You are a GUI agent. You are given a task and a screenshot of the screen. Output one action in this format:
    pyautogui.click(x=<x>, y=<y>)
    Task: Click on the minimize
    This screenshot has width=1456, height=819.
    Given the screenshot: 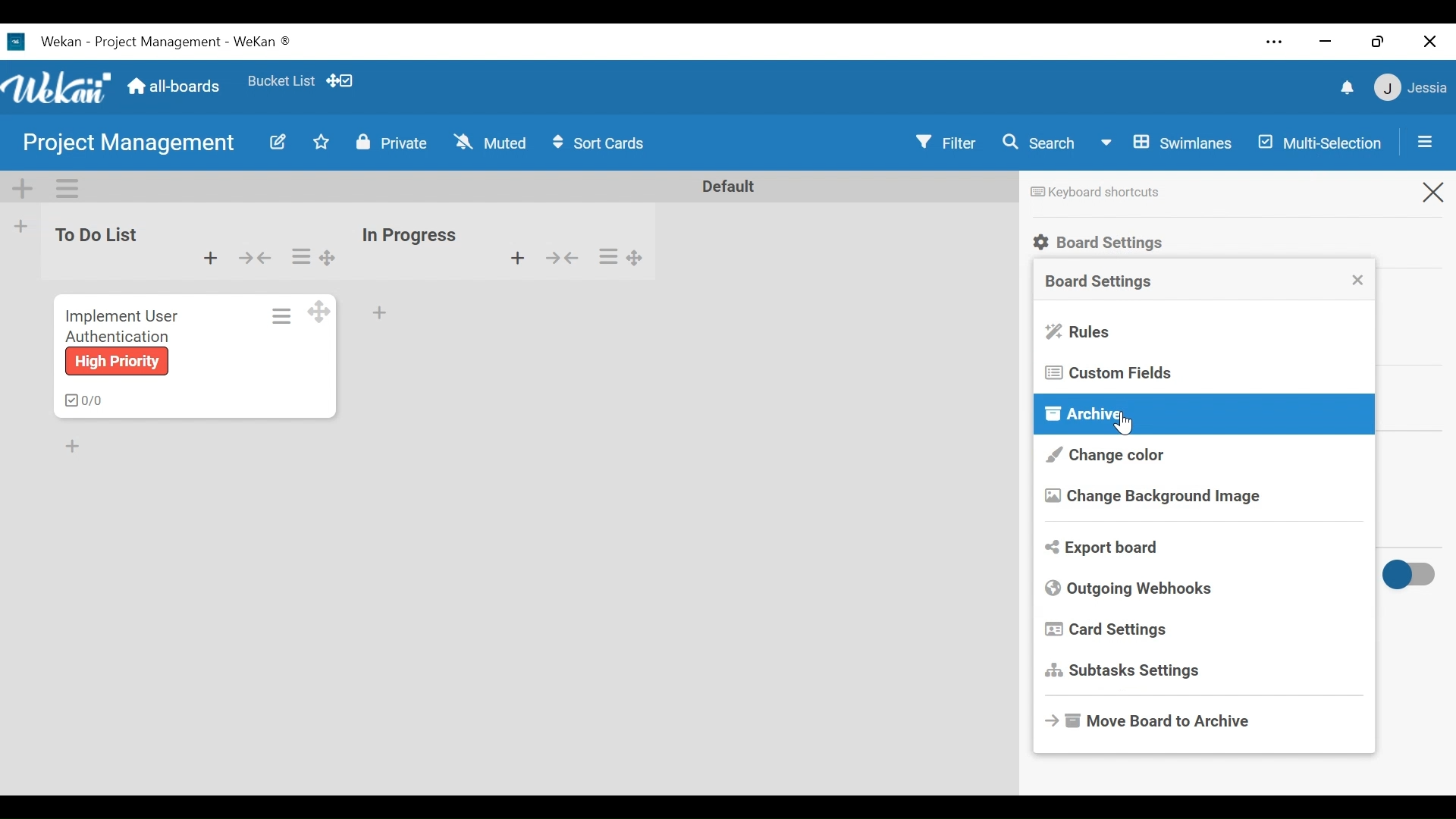 What is the action you would take?
    pyautogui.click(x=1325, y=41)
    